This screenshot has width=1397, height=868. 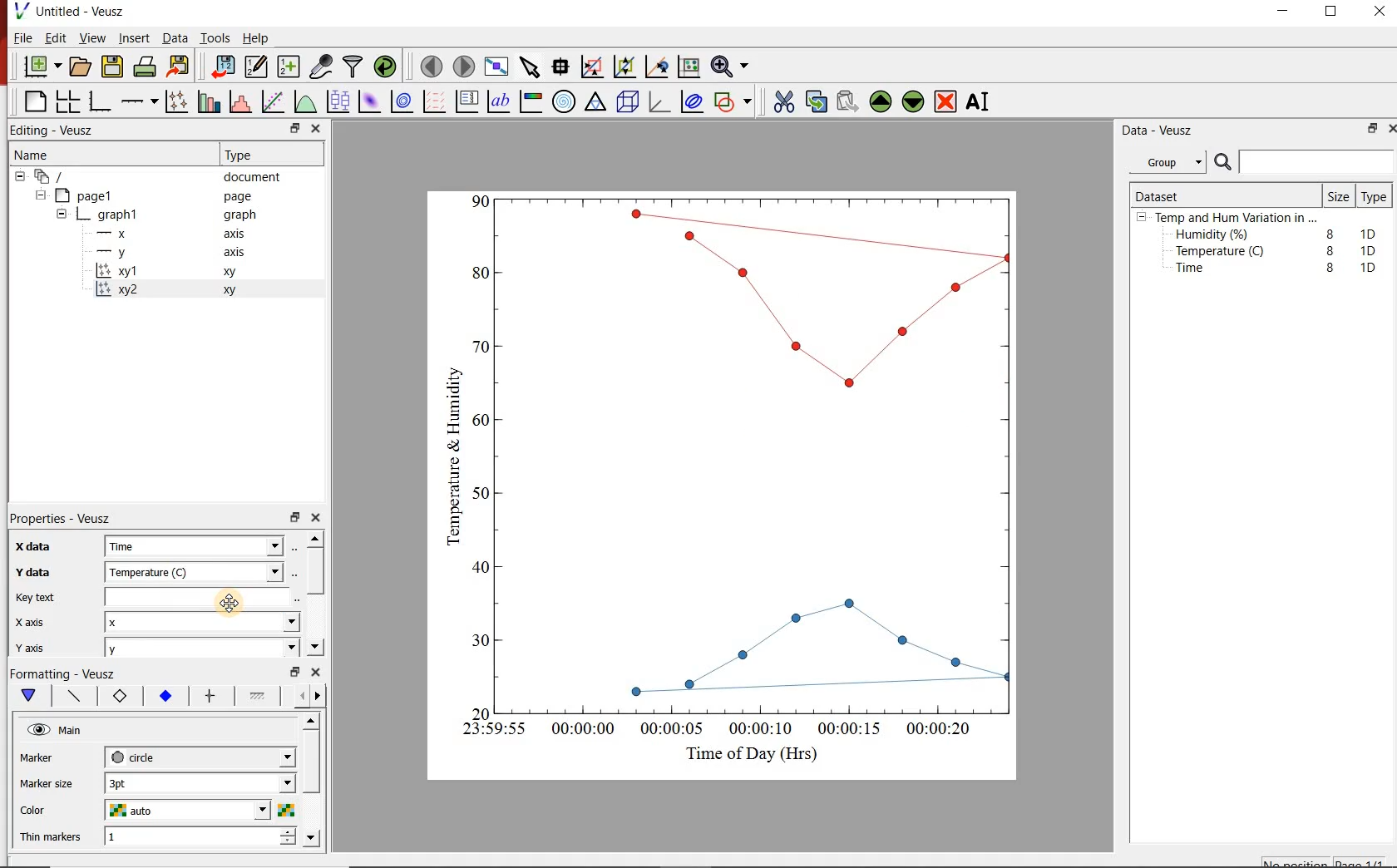 I want to click on auto, so click(x=134, y=811).